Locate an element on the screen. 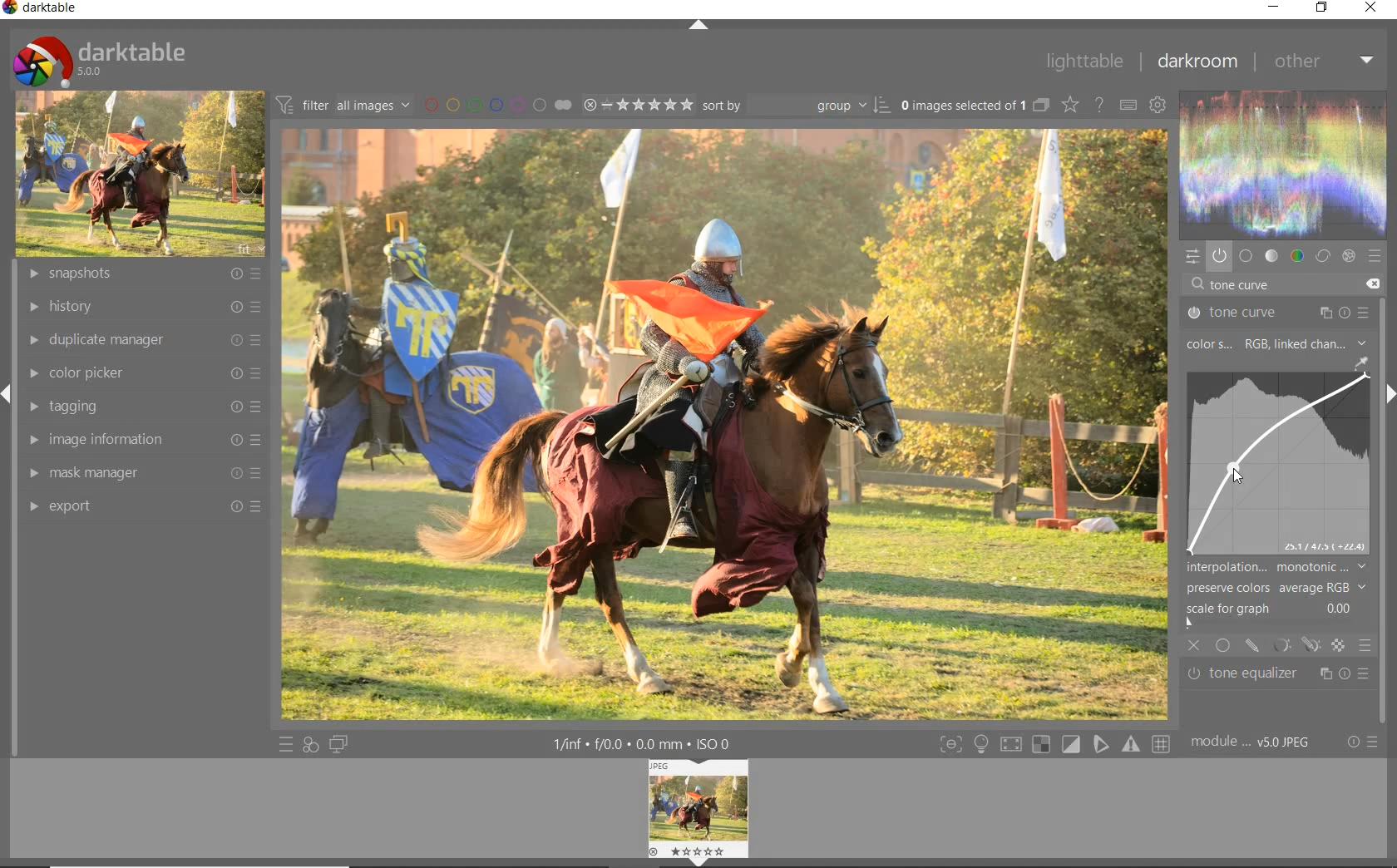 This screenshot has width=1397, height=868. 1/fnf f/0.0 0.0 mm ISO 0 is located at coordinates (649, 743).